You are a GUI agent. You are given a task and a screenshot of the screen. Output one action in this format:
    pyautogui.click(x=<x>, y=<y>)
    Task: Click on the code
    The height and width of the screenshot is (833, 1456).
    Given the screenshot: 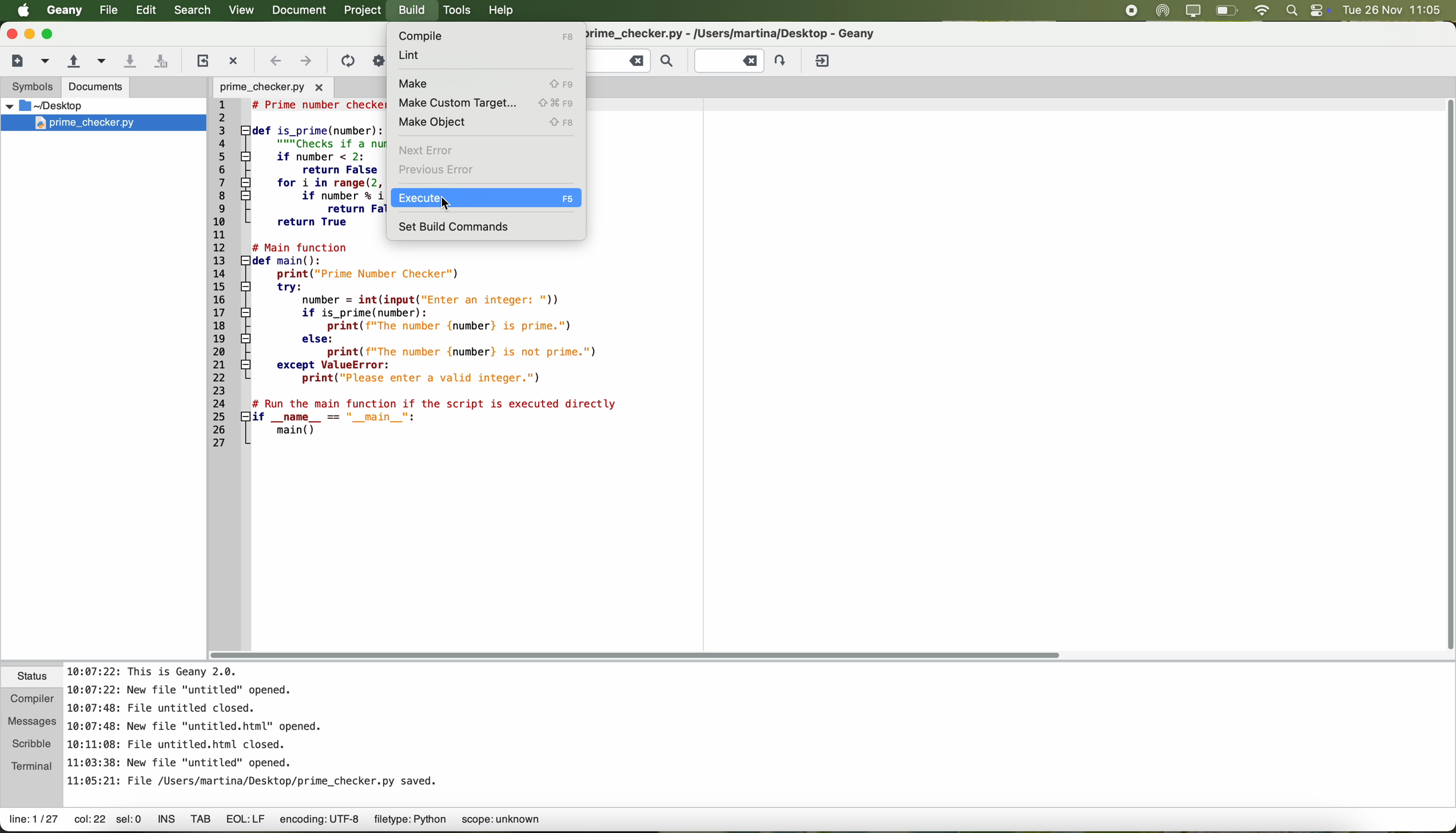 What is the action you would take?
    pyautogui.click(x=513, y=350)
    